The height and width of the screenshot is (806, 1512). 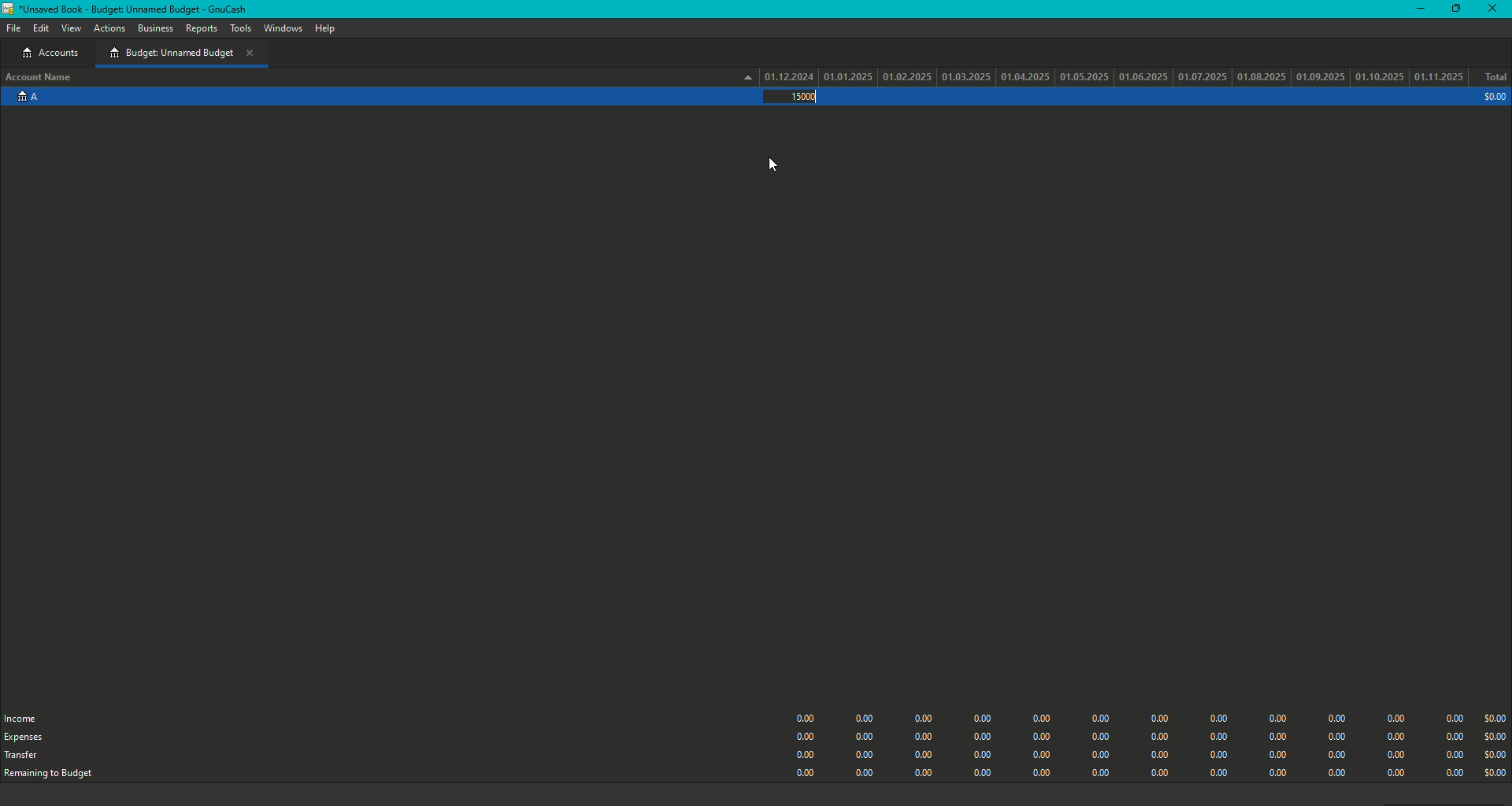 What do you see at coordinates (110, 30) in the screenshot?
I see `Actions` at bounding box center [110, 30].